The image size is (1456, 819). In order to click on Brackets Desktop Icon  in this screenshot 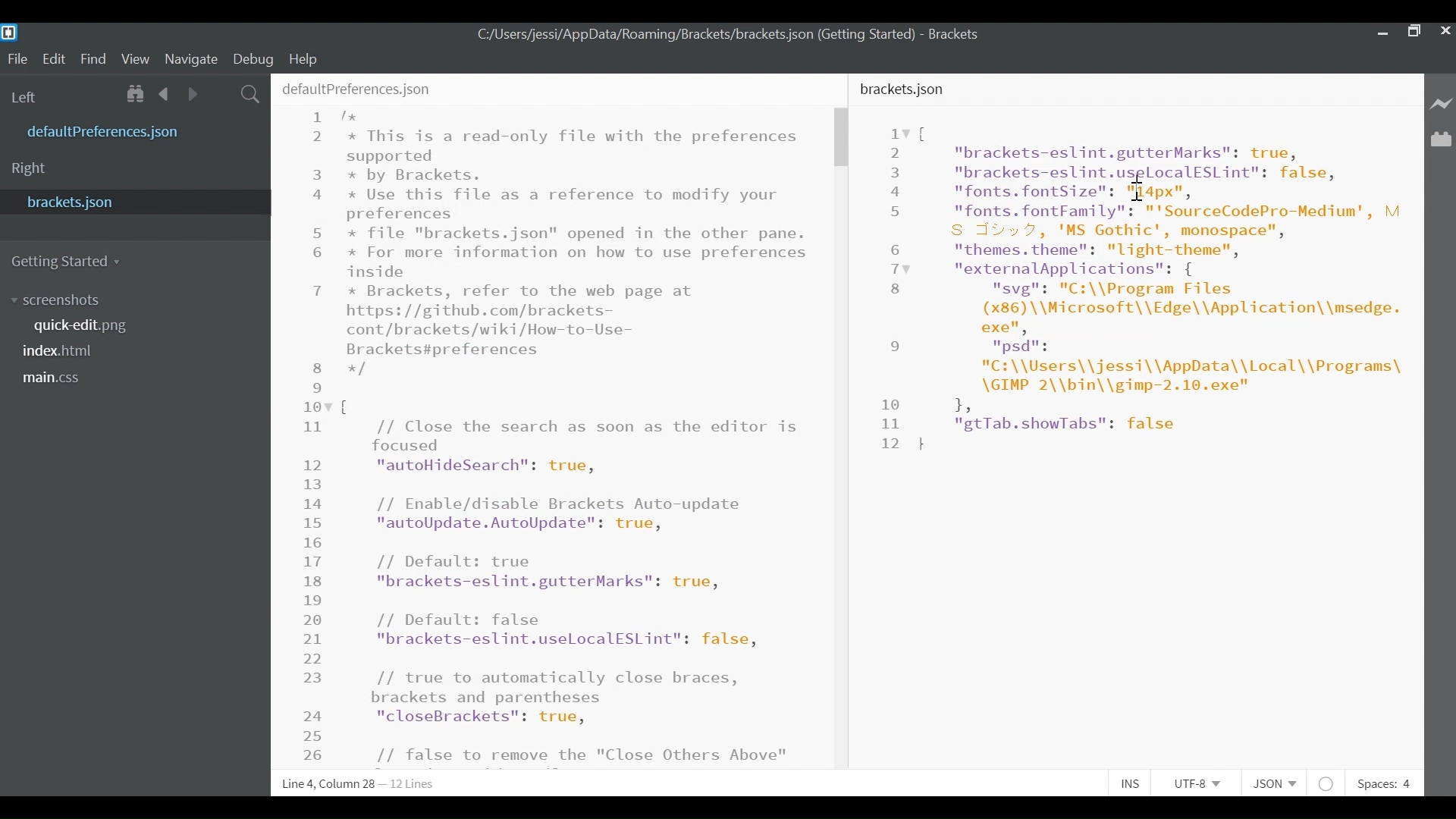, I will do `click(9, 32)`.